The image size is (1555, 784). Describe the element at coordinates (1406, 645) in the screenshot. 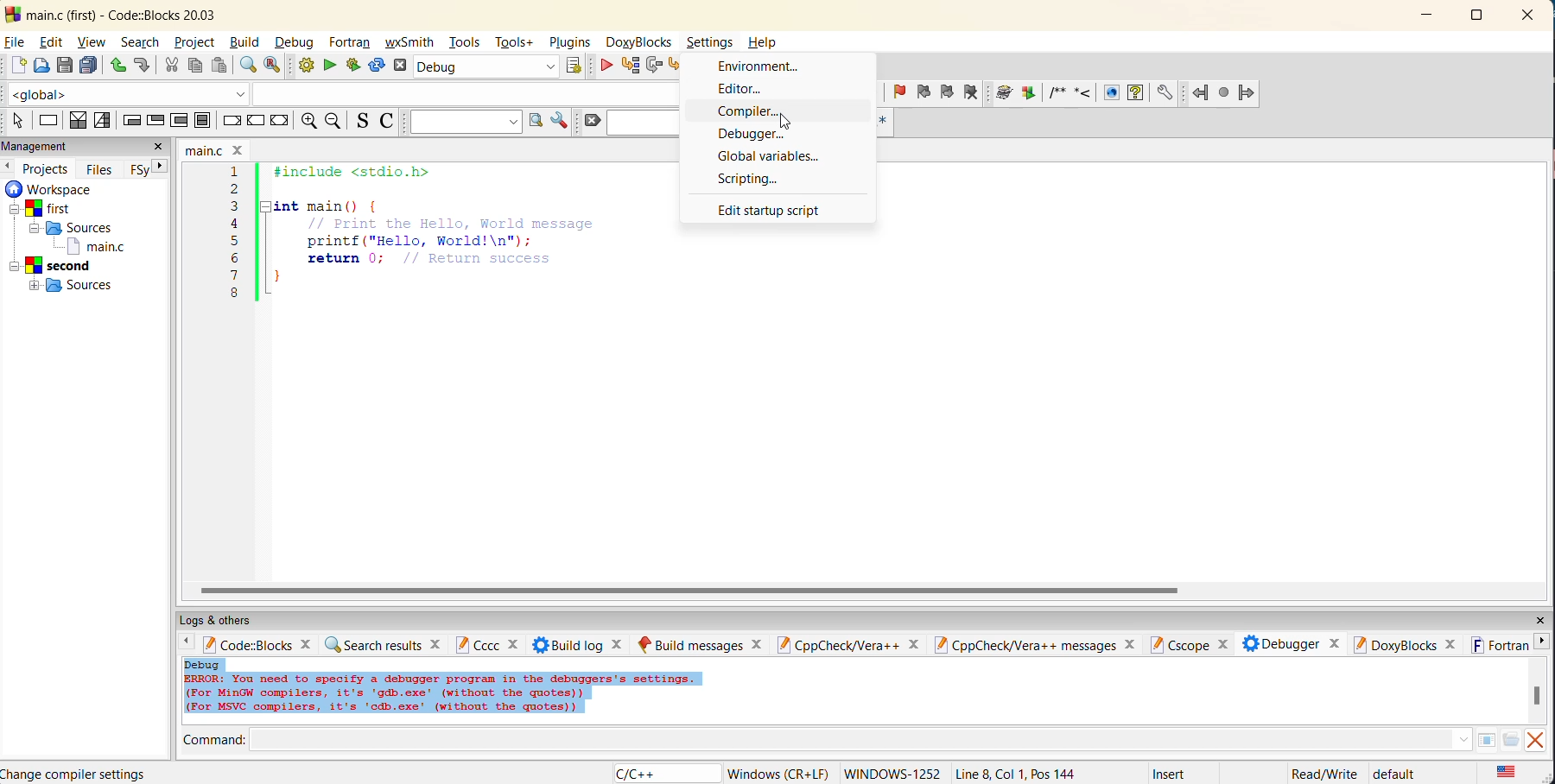

I see `doxyblocks` at that location.